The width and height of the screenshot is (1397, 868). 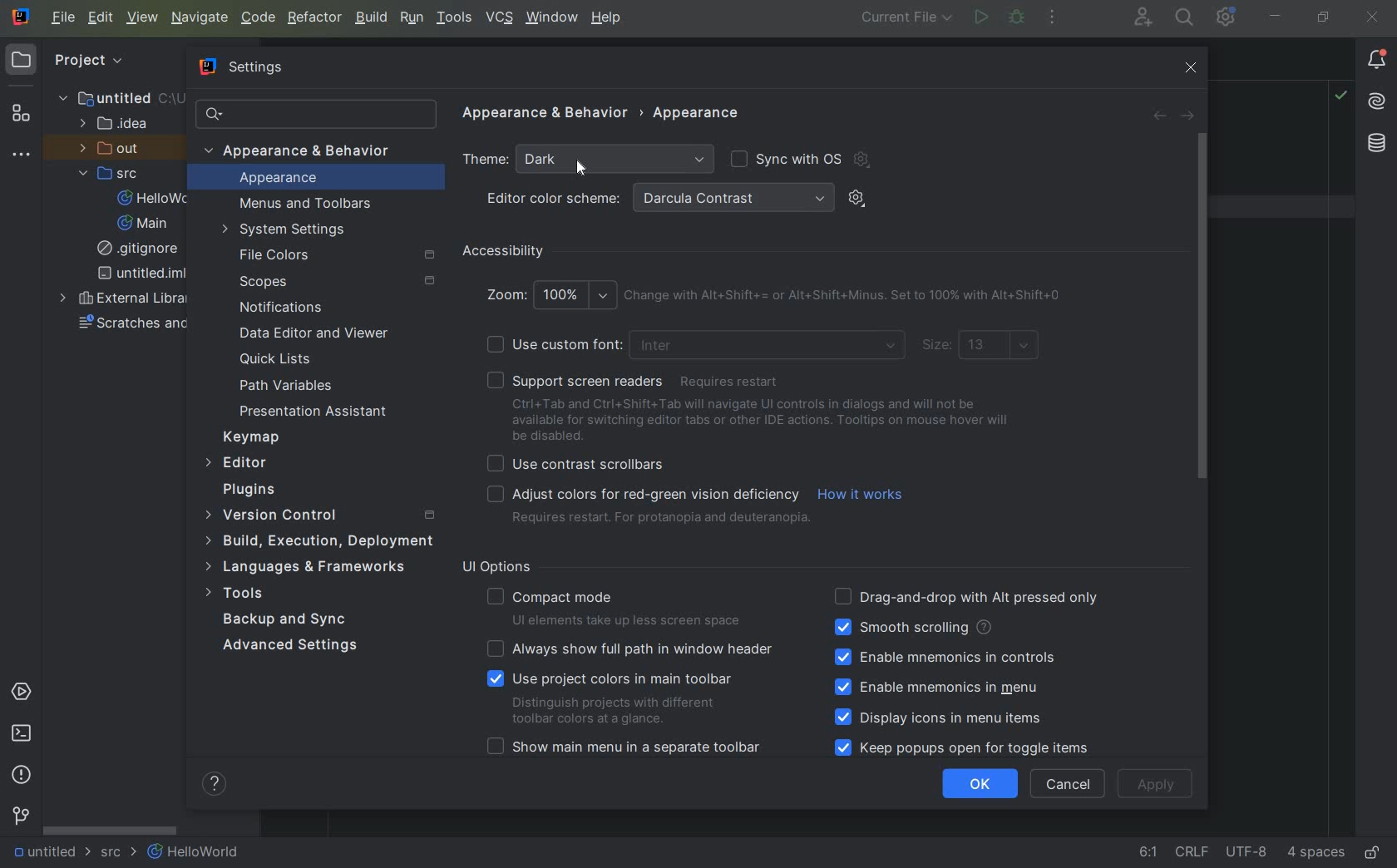 What do you see at coordinates (124, 298) in the screenshot?
I see `EXTERNAL LIBRARIES` at bounding box center [124, 298].